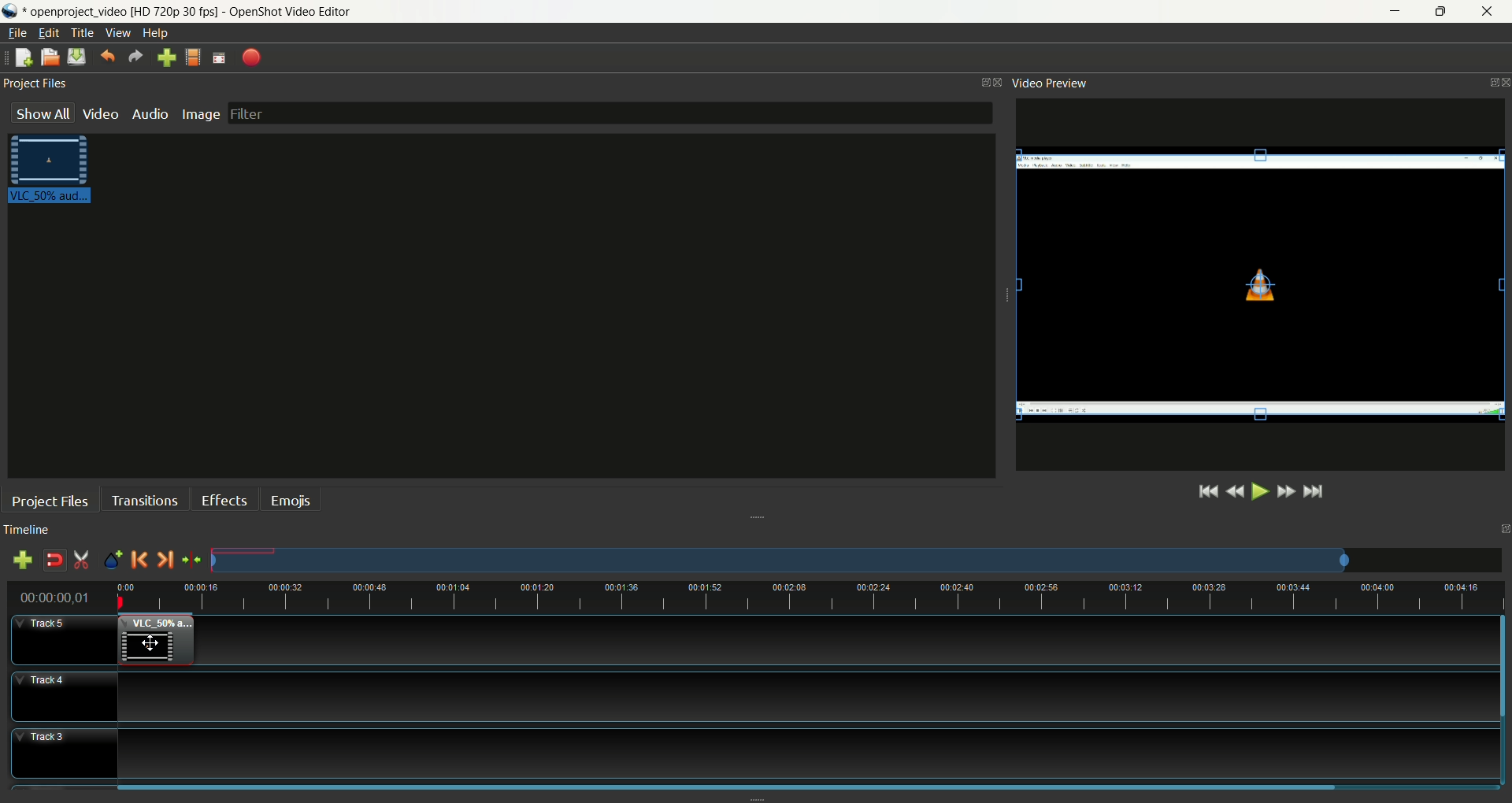  I want to click on logo, so click(11, 11).